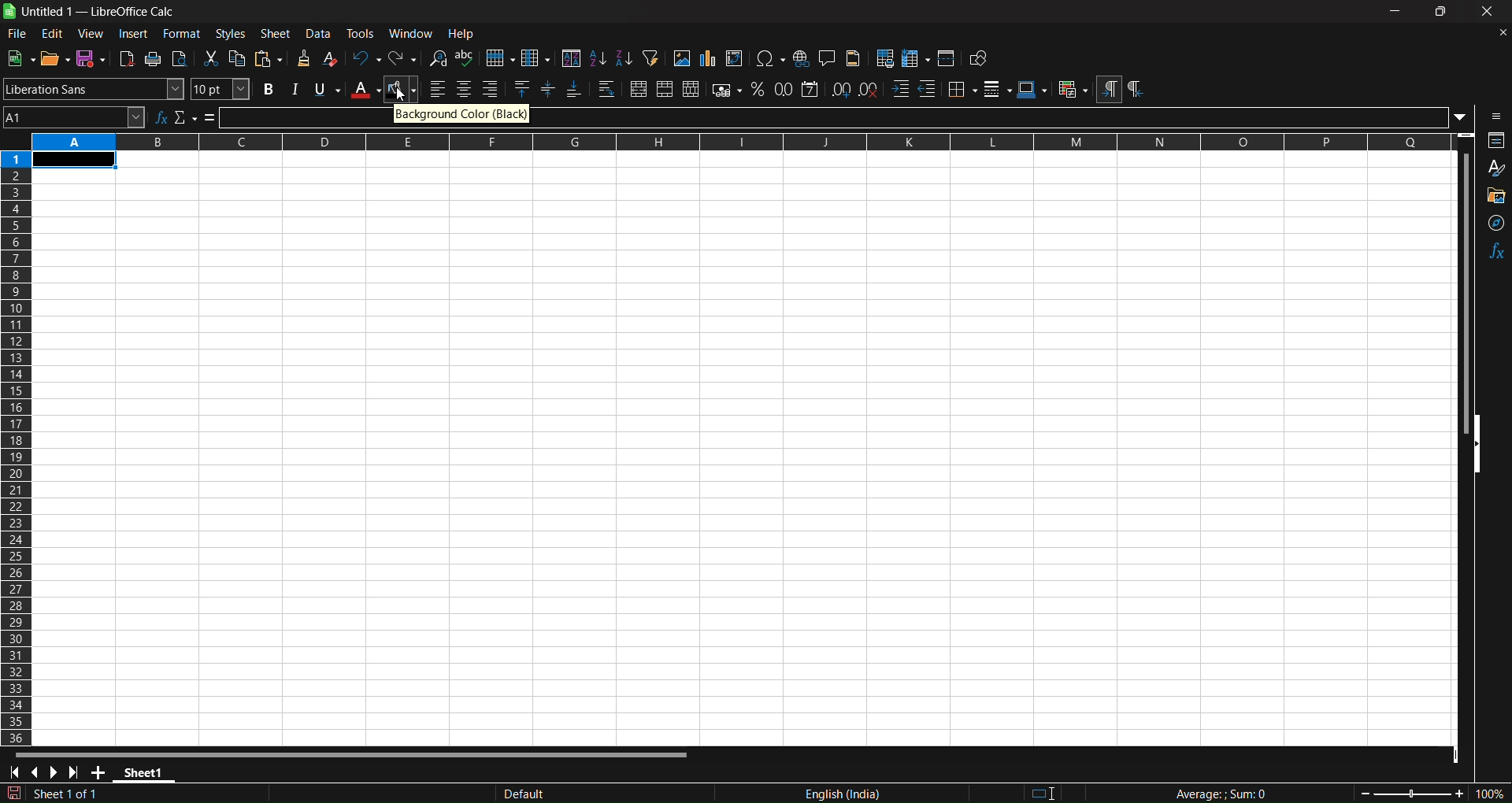 The height and width of the screenshot is (803, 1512). What do you see at coordinates (75, 118) in the screenshot?
I see `name box ` at bounding box center [75, 118].